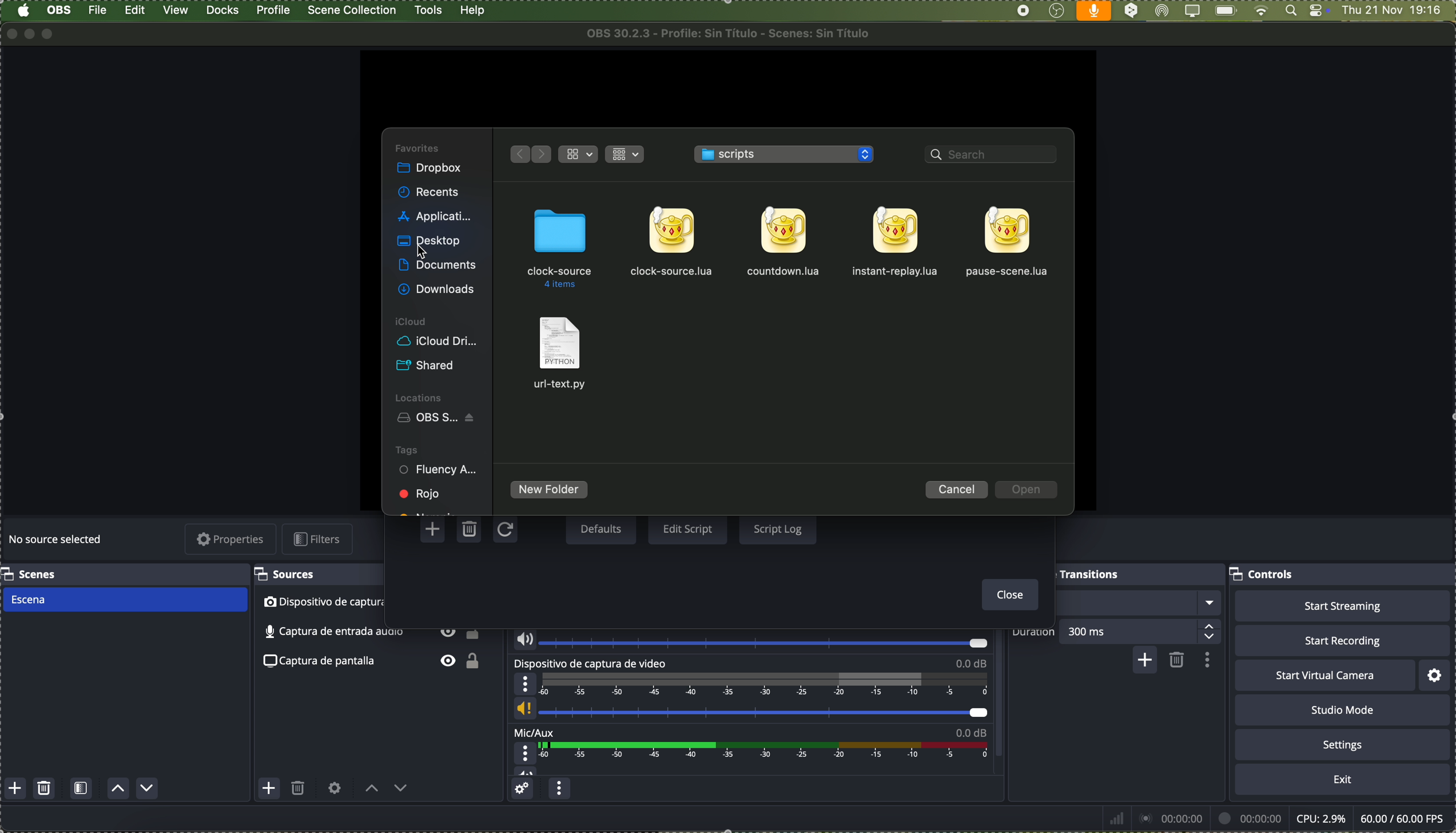 This screenshot has width=1456, height=833. Describe the element at coordinates (419, 147) in the screenshot. I see `favorites` at that location.